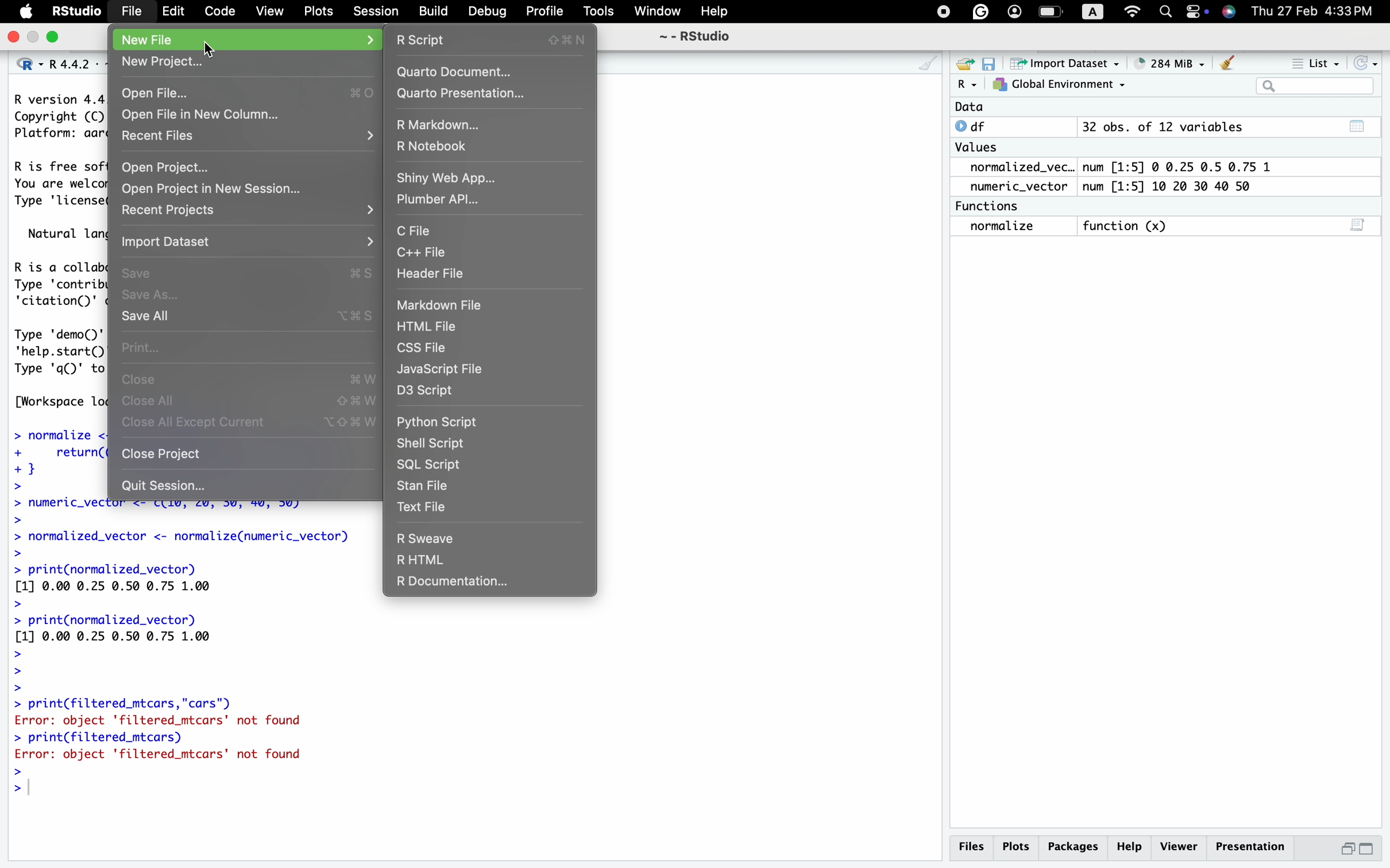  What do you see at coordinates (1311, 85) in the screenshot?
I see `search bar` at bounding box center [1311, 85].